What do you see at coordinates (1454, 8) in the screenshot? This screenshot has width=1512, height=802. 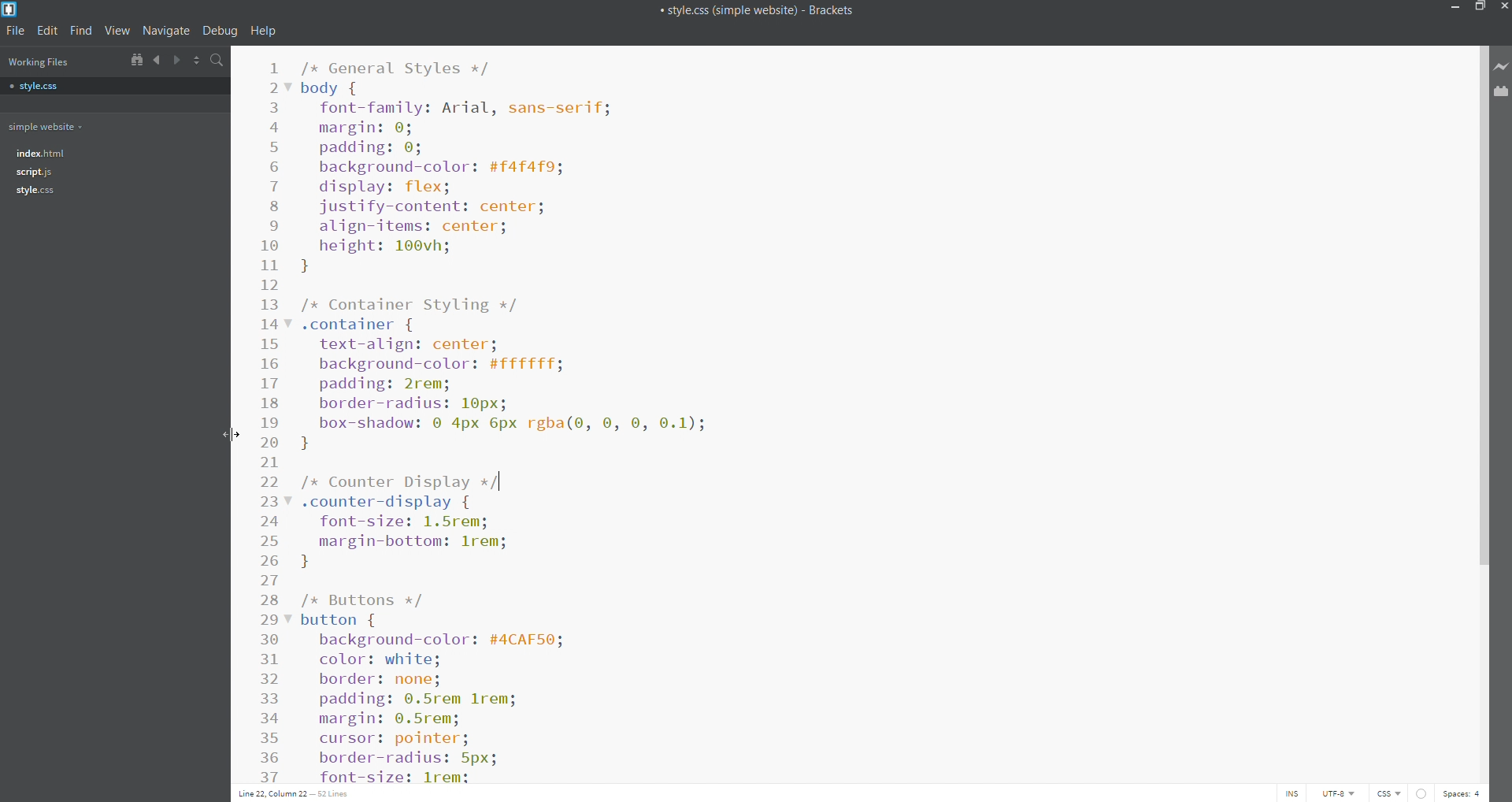 I see `minimize` at bounding box center [1454, 8].